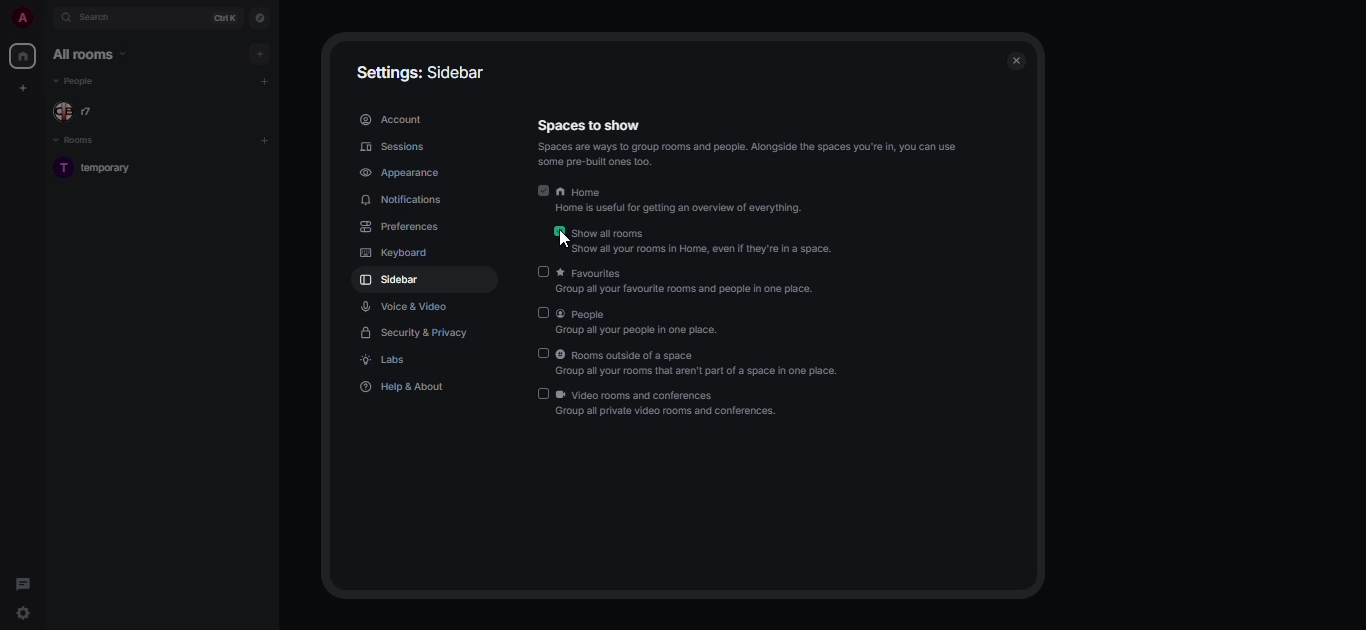  I want to click on security & privacy, so click(416, 330).